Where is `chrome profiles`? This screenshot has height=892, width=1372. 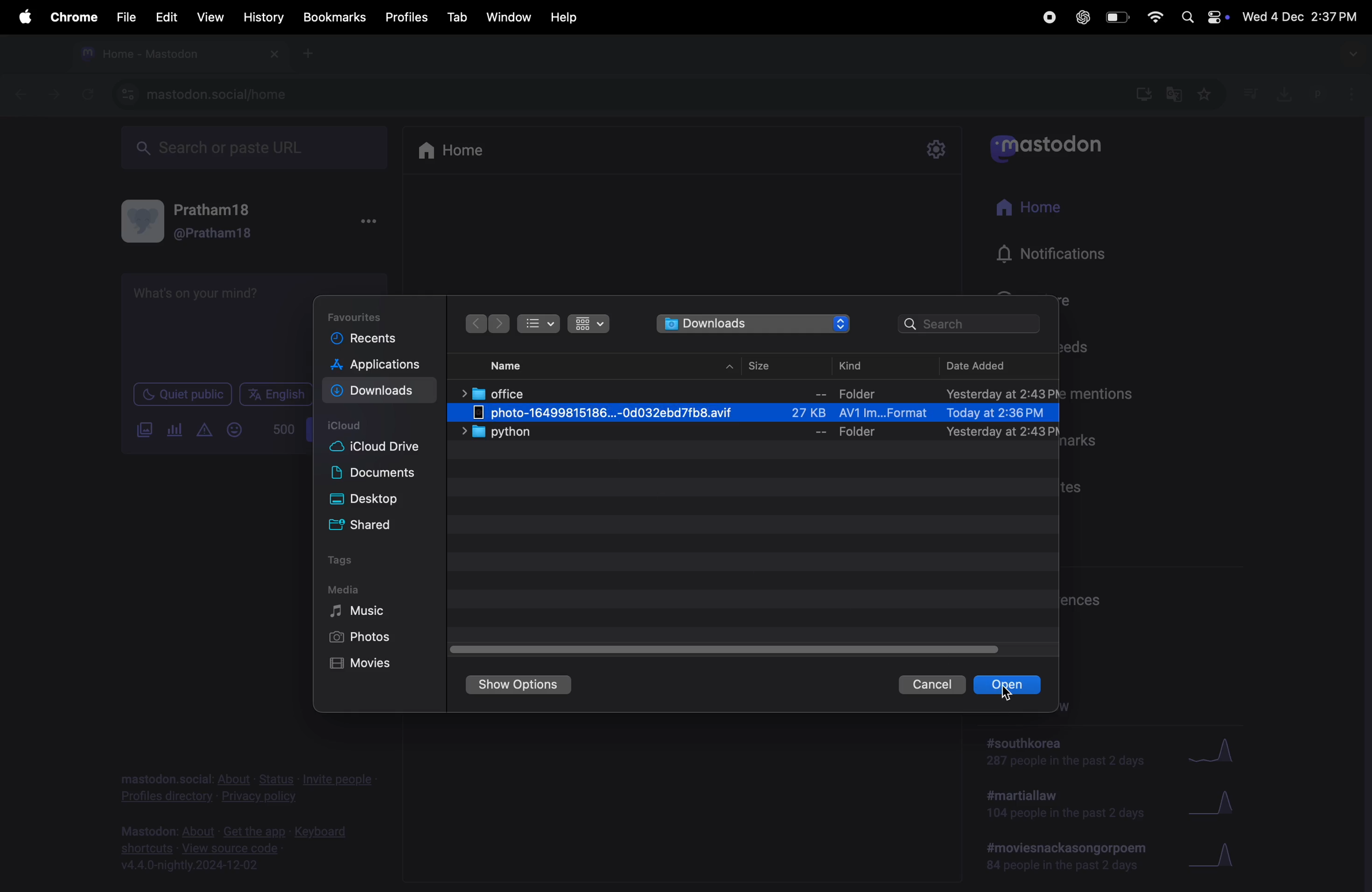
chrome profiles is located at coordinates (1335, 92).